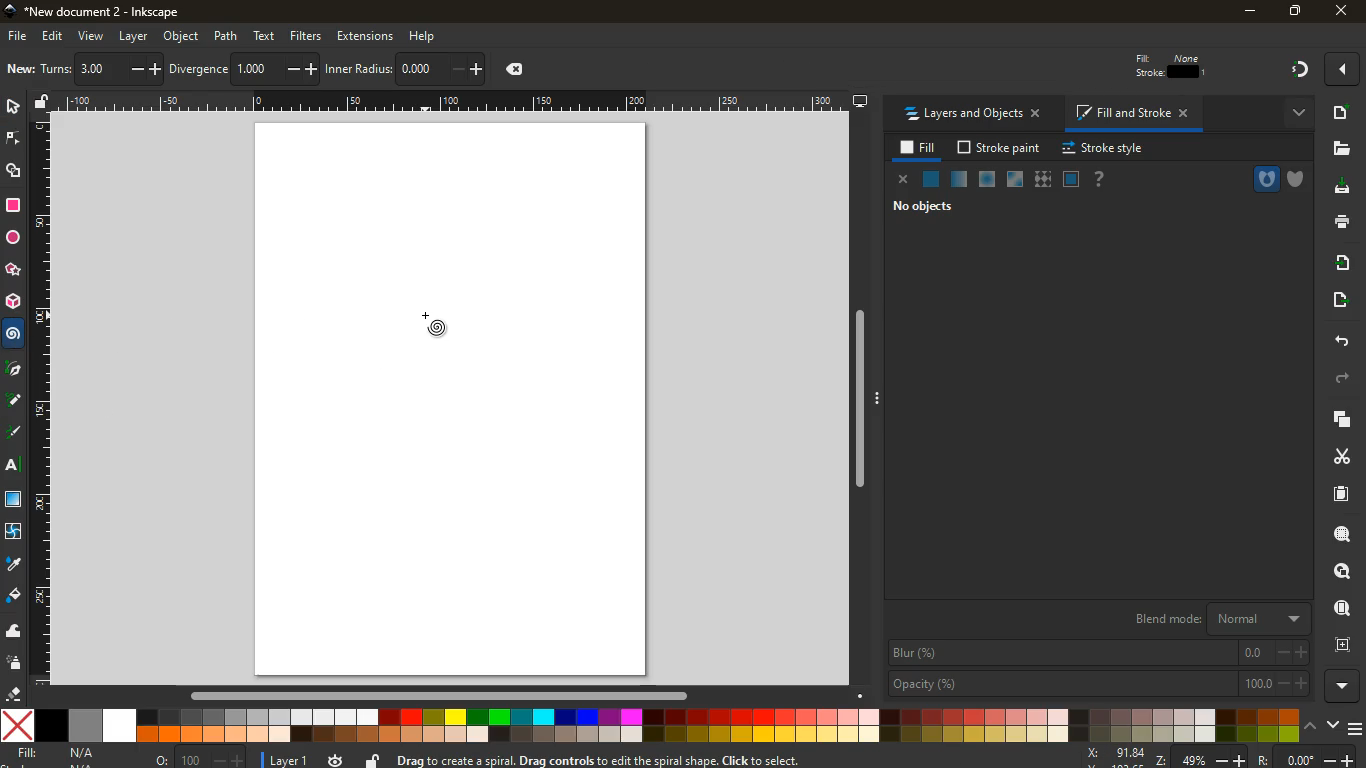 The image size is (1366, 768). What do you see at coordinates (1340, 264) in the screenshot?
I see `receive` at bounding box center [1340, 264].